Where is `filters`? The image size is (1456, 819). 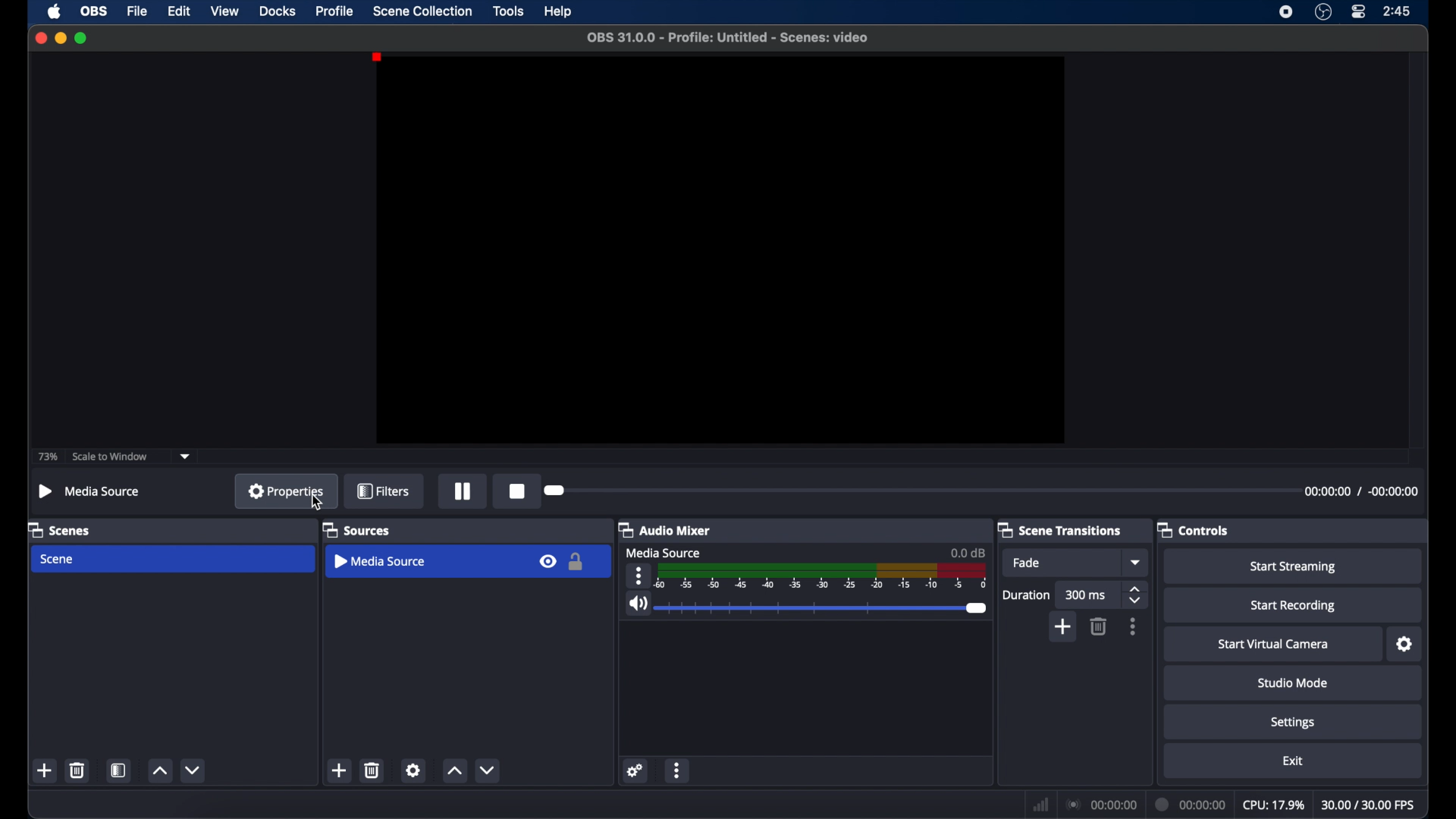
filters is located at coordinates (383, 490).